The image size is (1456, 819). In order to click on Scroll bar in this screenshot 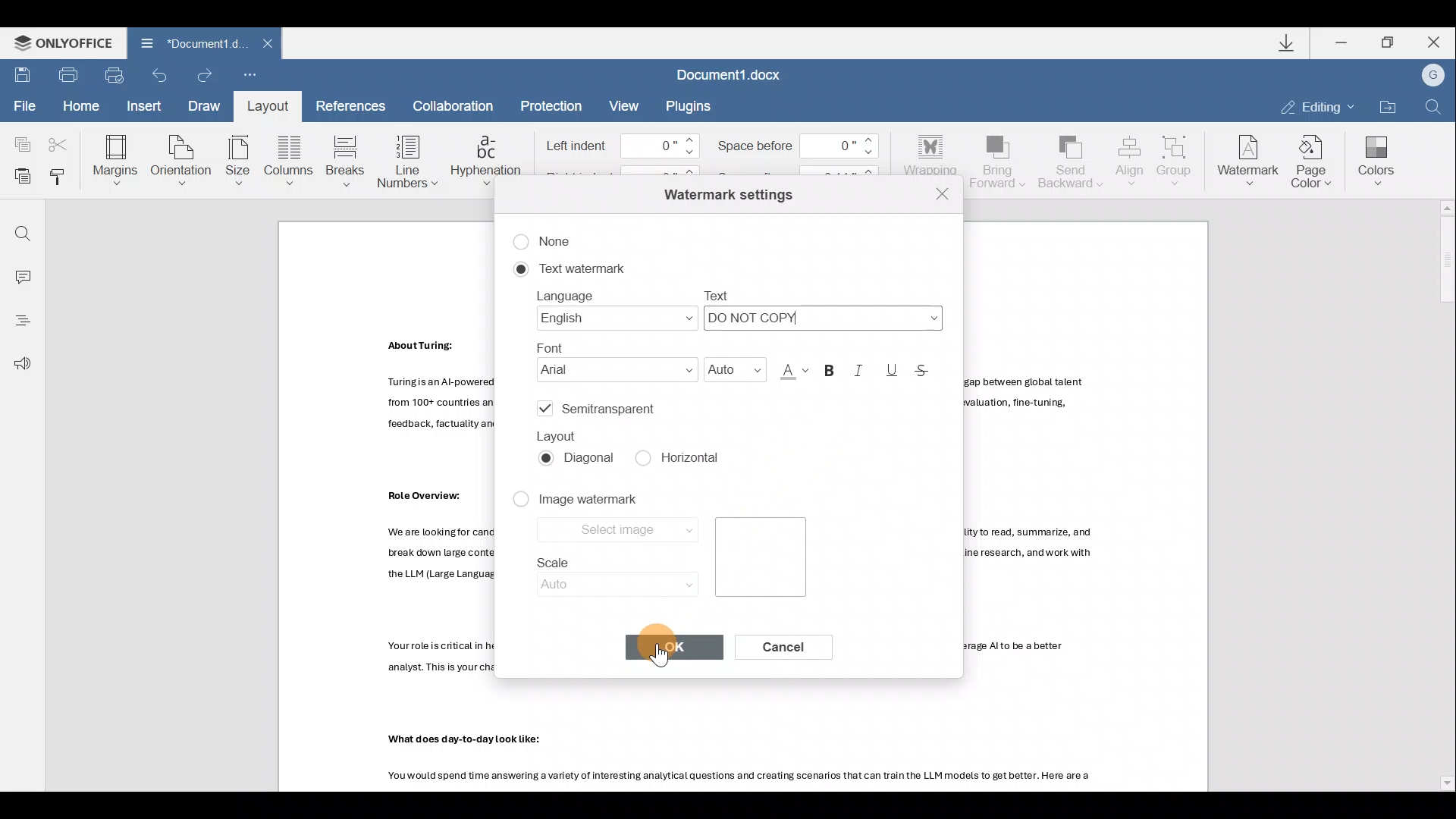, I will do `click(1441, 494)`.